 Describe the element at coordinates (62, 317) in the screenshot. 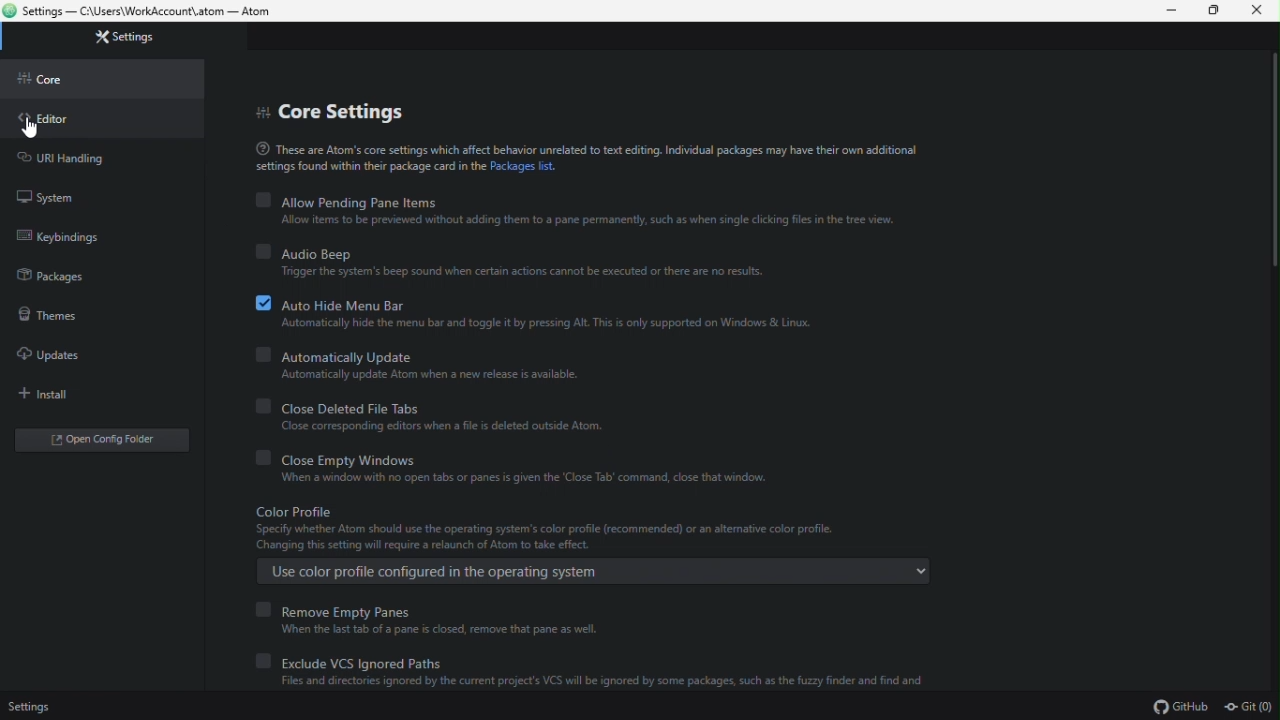

I see `Theme` at that location.